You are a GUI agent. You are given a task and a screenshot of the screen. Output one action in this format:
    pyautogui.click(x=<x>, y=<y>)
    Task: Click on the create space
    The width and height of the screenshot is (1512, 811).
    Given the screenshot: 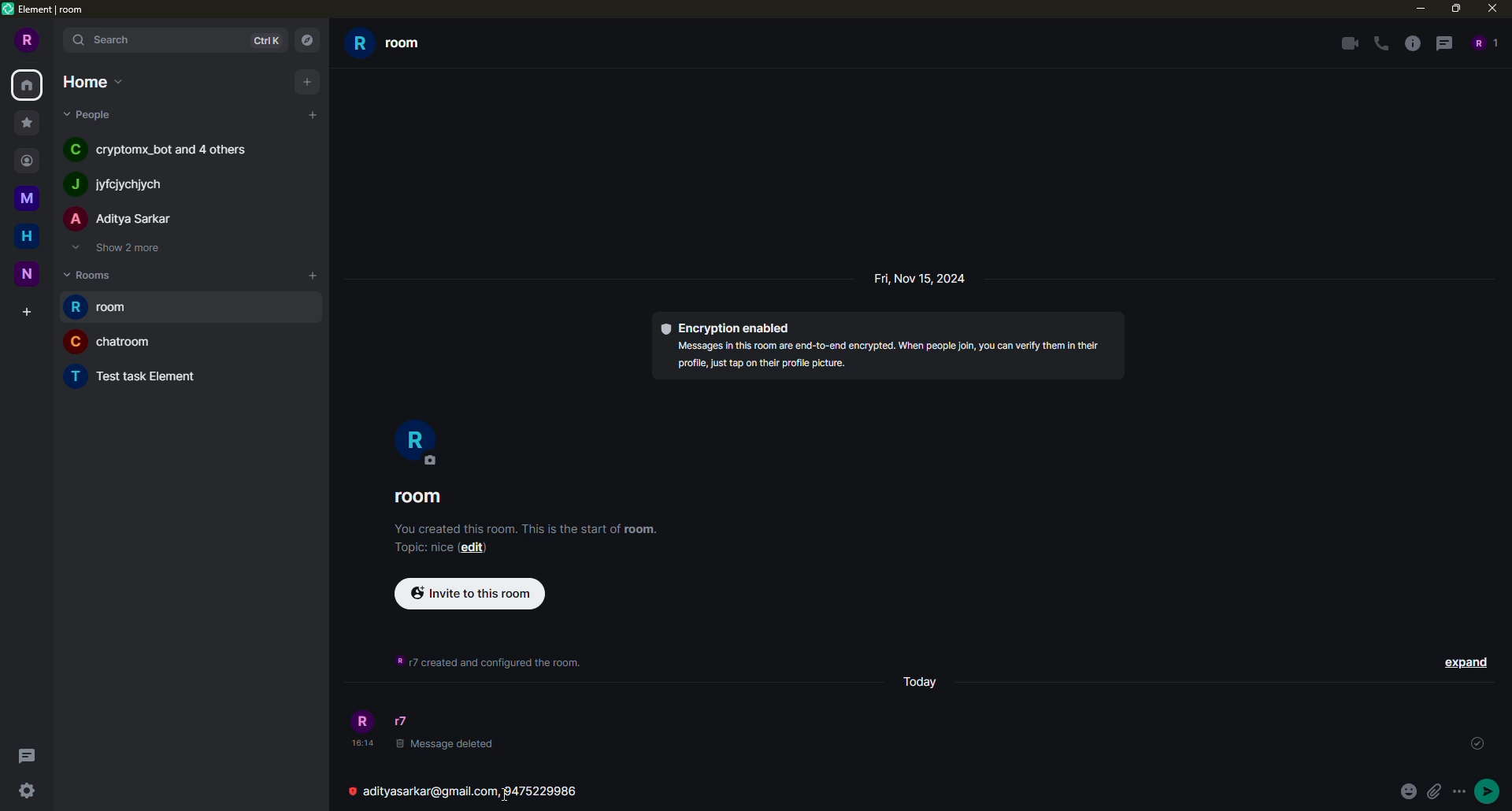 What is the action you would take?
    pyautogui.click(x=22, y=310)
    